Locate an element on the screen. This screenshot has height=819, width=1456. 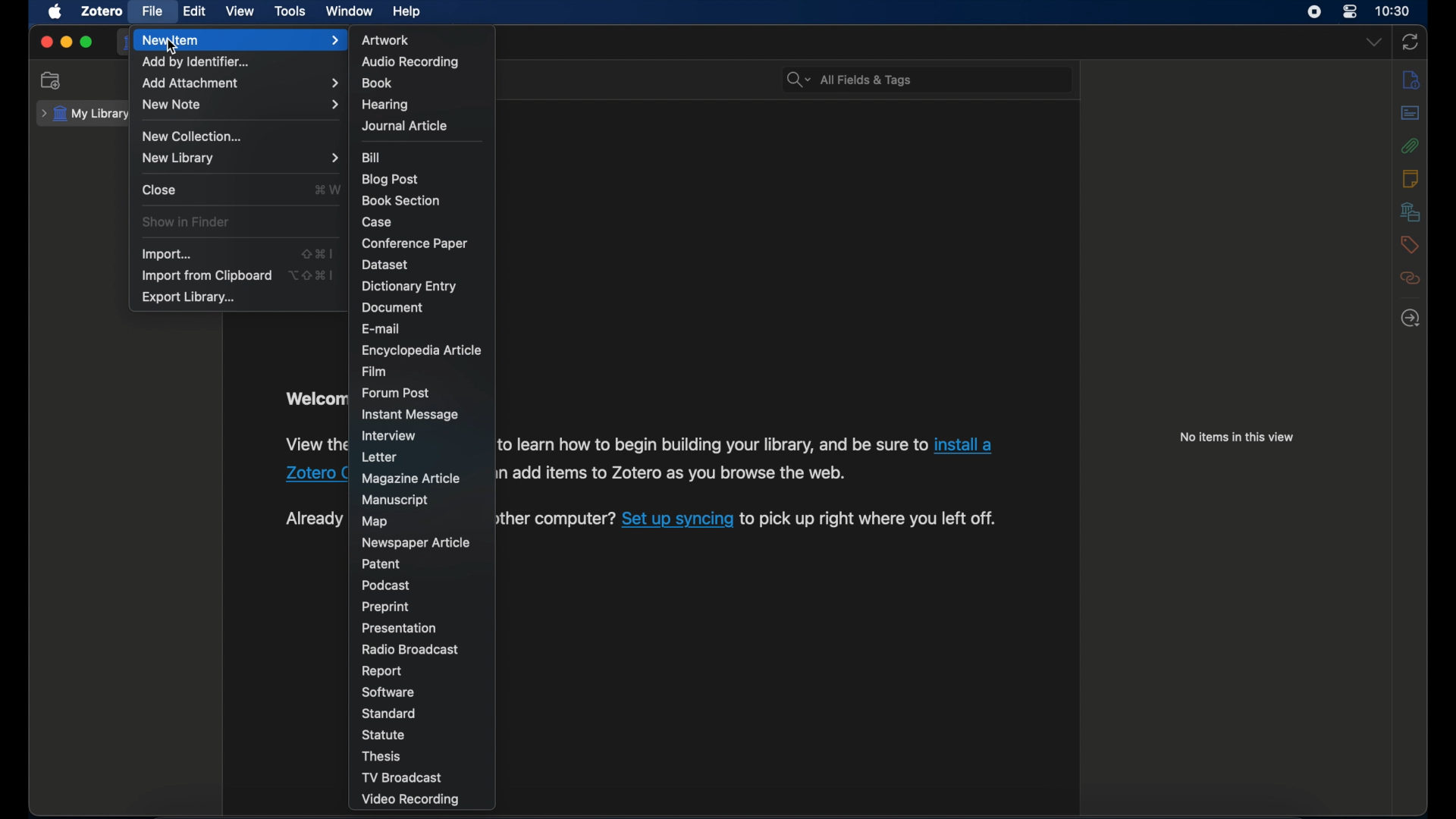
magazine article is located at coordinates (409, 479).